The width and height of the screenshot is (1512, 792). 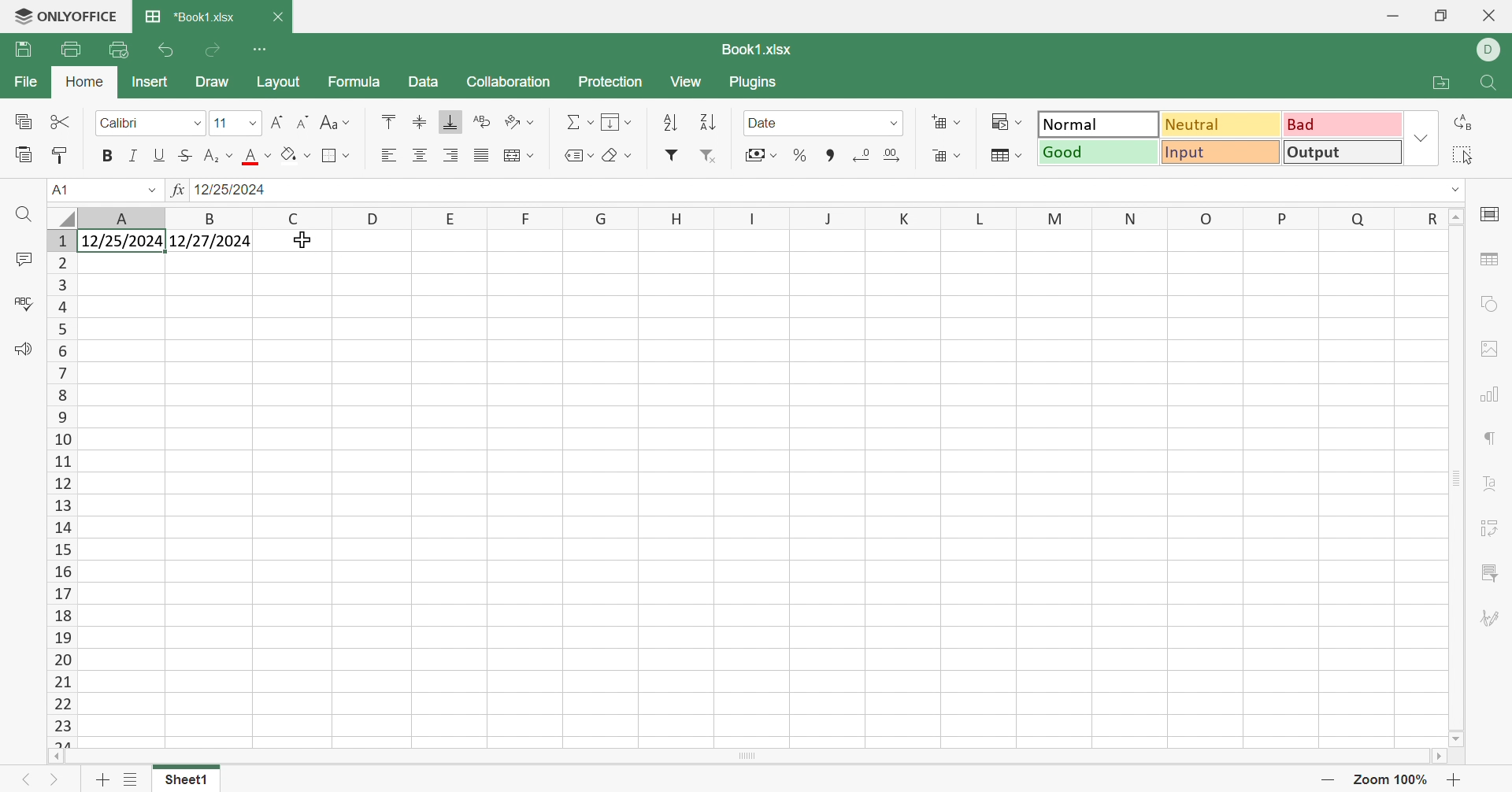 What do you see at coordinates (949, 157) in the screenshot?
I see `Delete cells` at bounding box center [949, 157].